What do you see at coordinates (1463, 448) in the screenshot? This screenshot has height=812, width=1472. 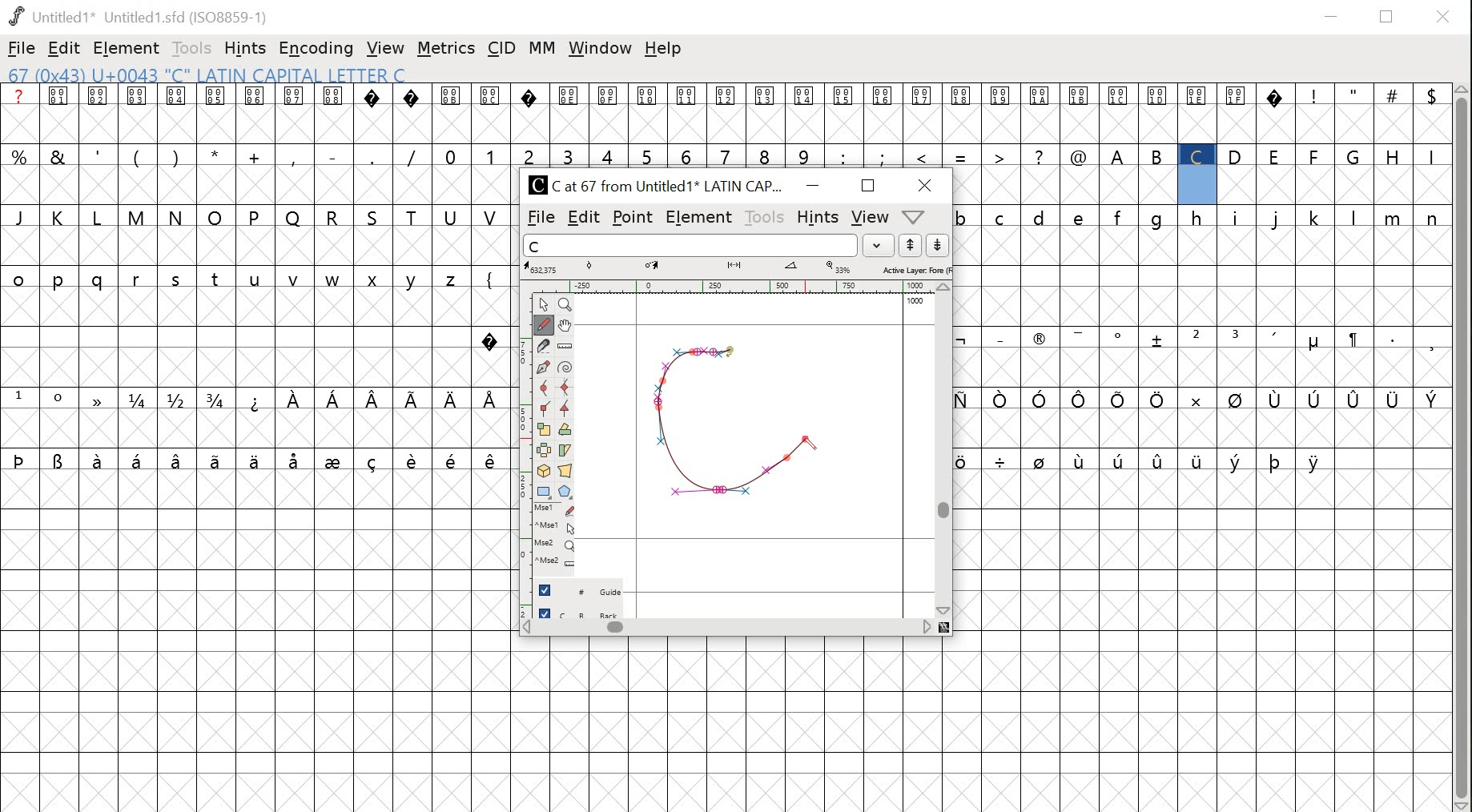 I see `scrollbar` at bounding box center [1463, 448].